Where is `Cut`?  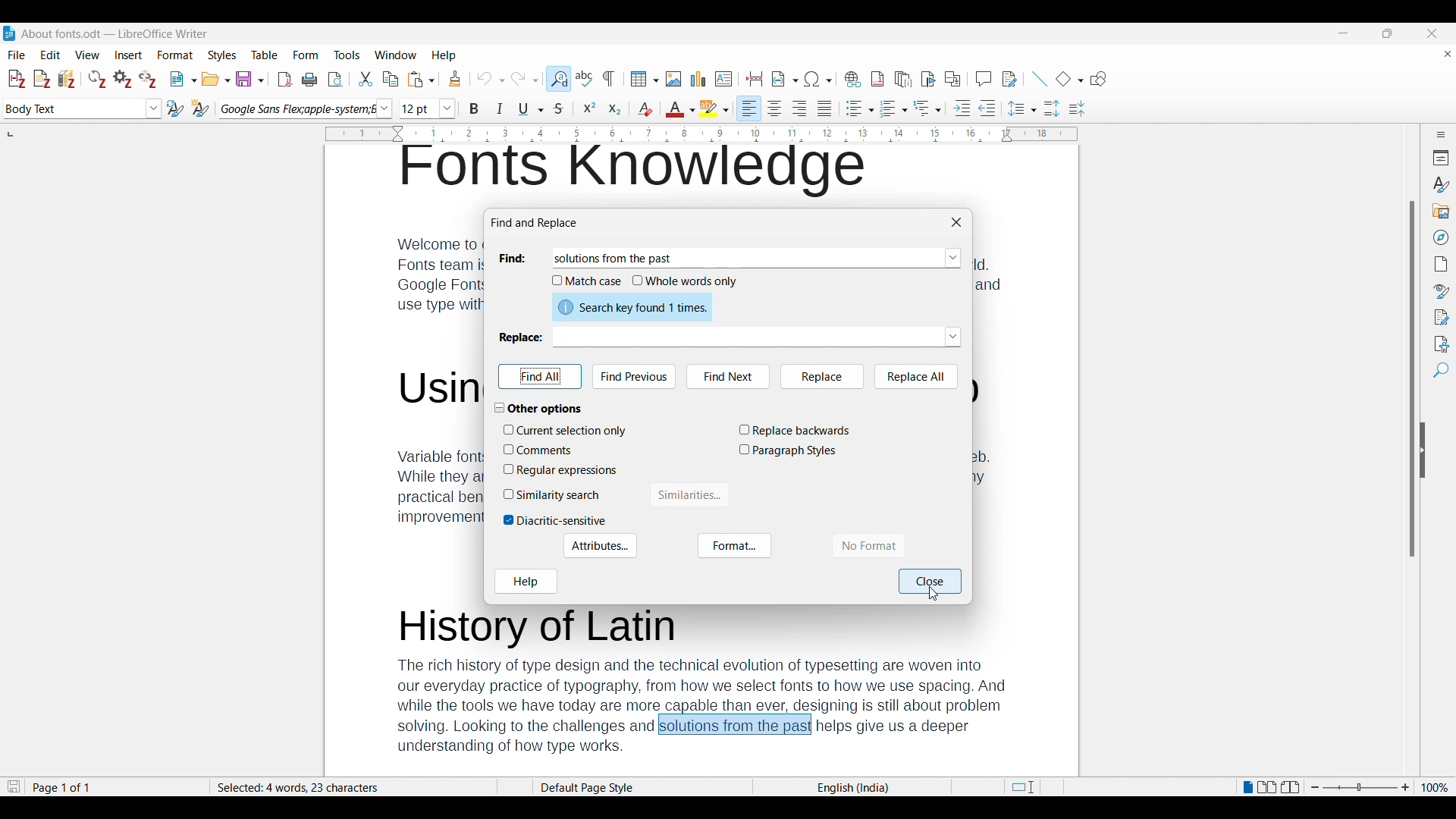
Cut is located at coordinates (365, 79).